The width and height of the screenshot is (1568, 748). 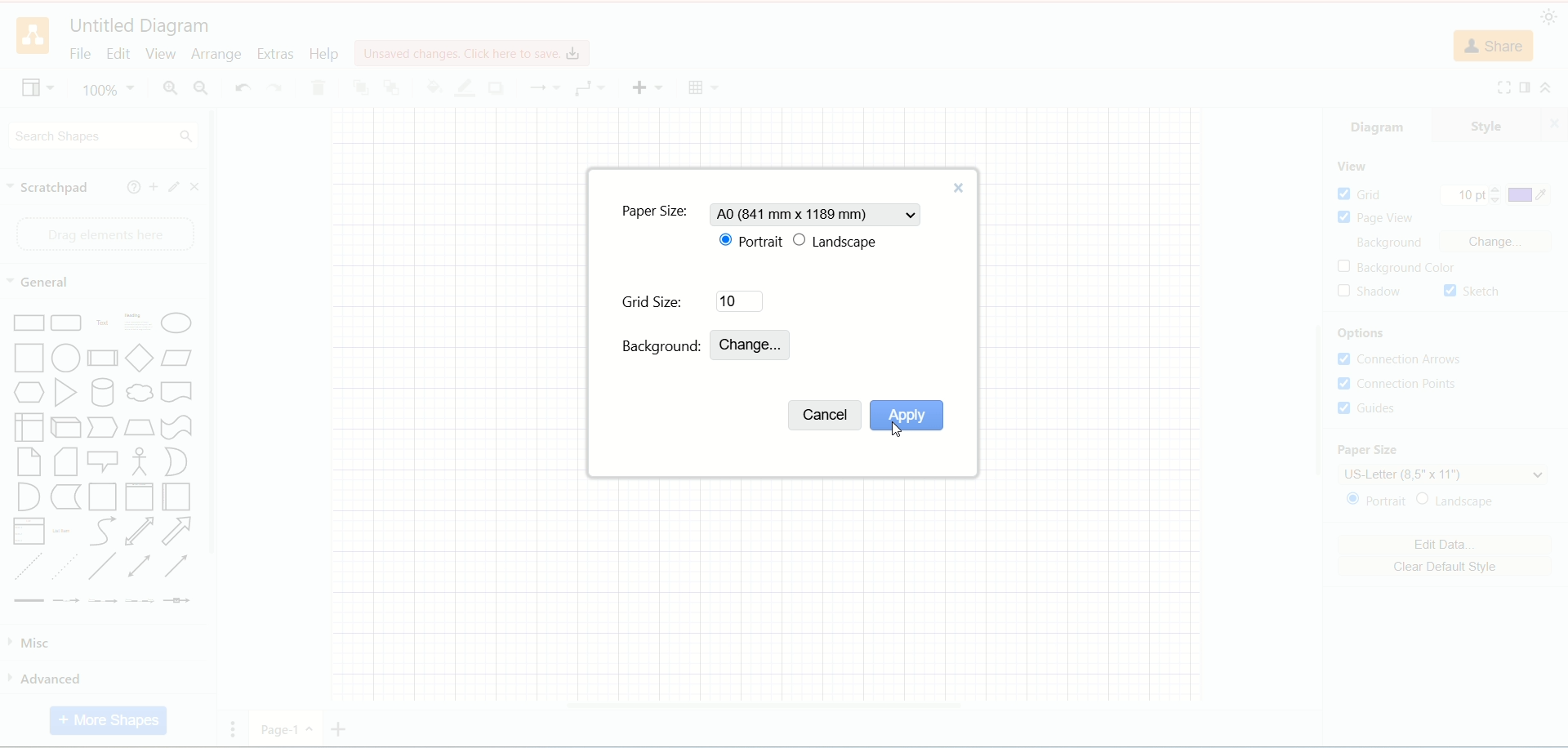 I want to click on connection arrows, so click(x=1405, y=360).